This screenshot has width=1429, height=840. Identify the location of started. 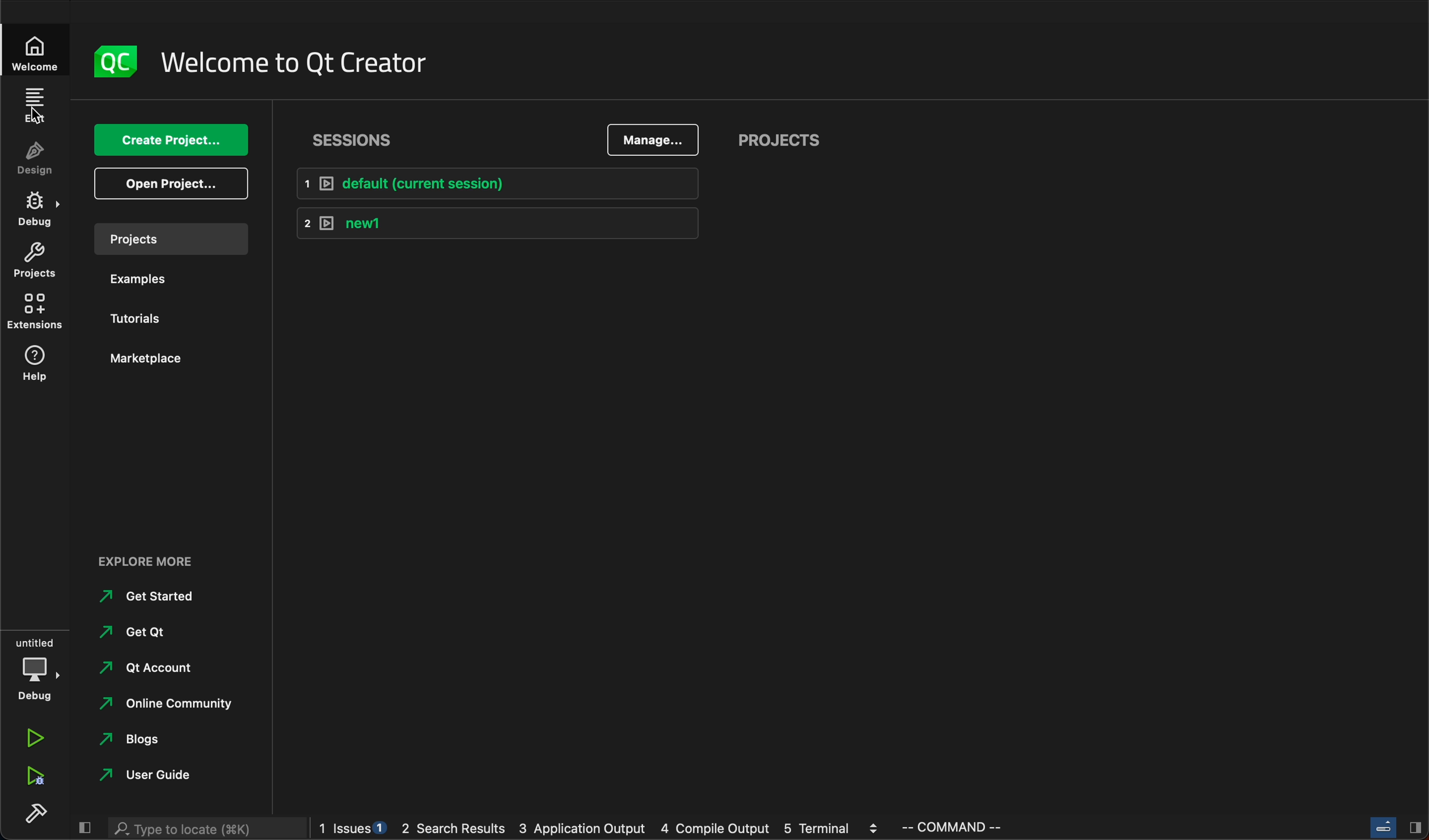
(144, 598).